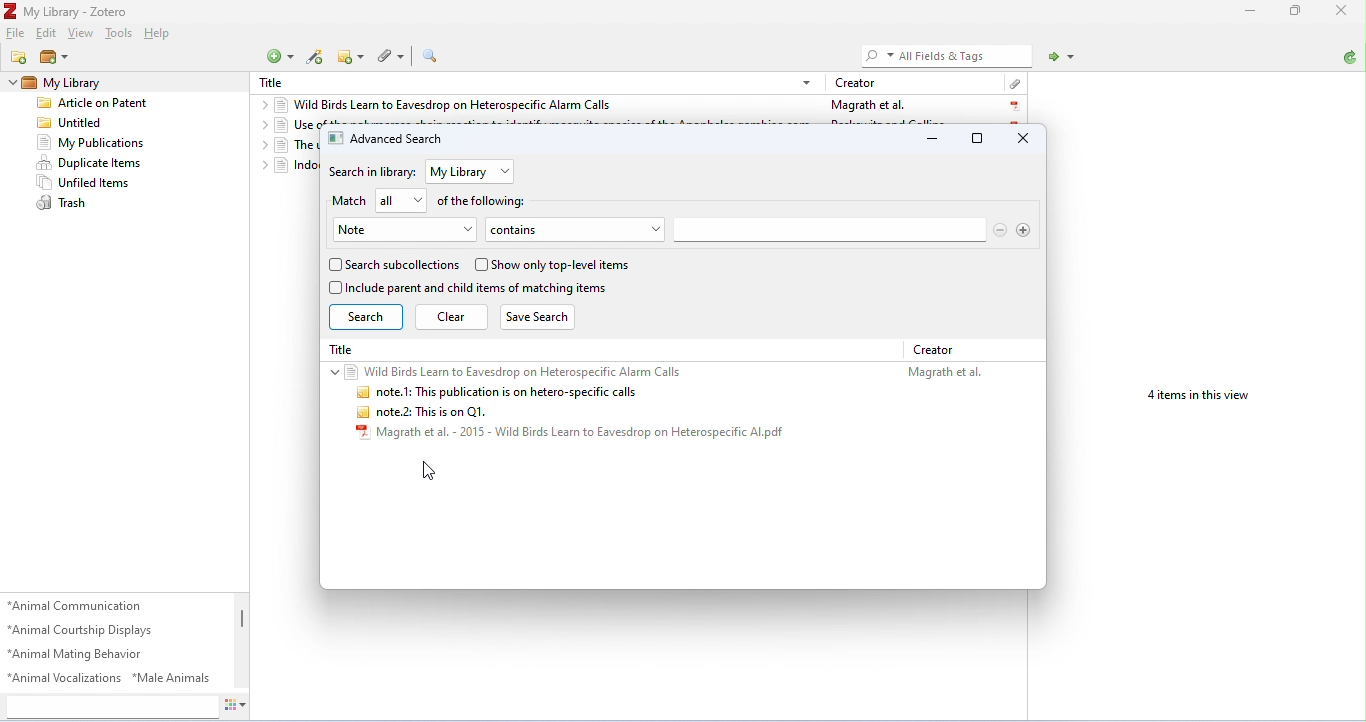 Image resolution: width=1366 pixels, height=722 pixels. I want to click on drop-down, so click(260, 145).